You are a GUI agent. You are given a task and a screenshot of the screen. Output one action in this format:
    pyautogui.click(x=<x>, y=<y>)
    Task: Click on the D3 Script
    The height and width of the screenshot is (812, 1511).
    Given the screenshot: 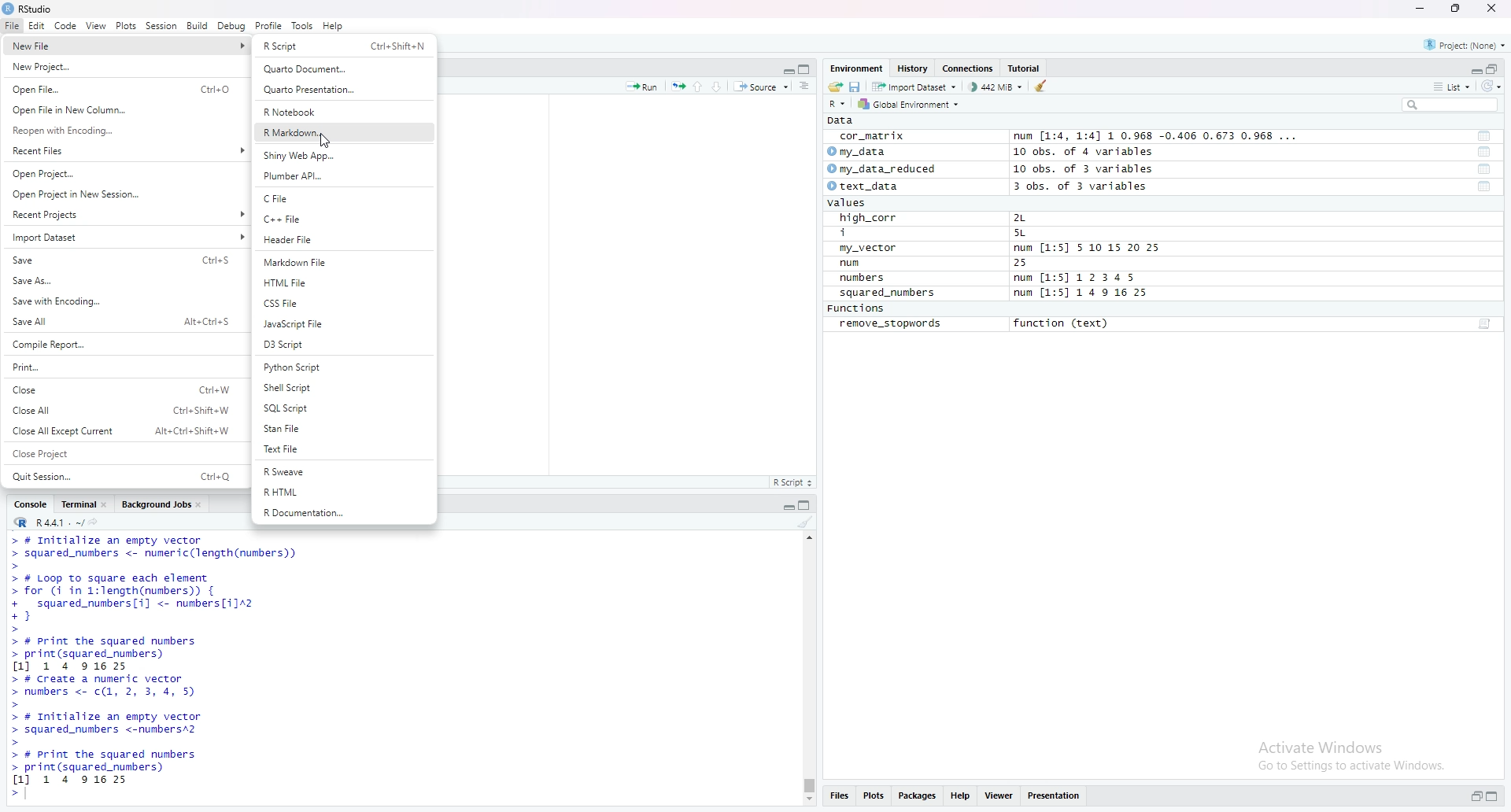 What is the action you would take?
    pyautogui.click(x=342, y=344)
    